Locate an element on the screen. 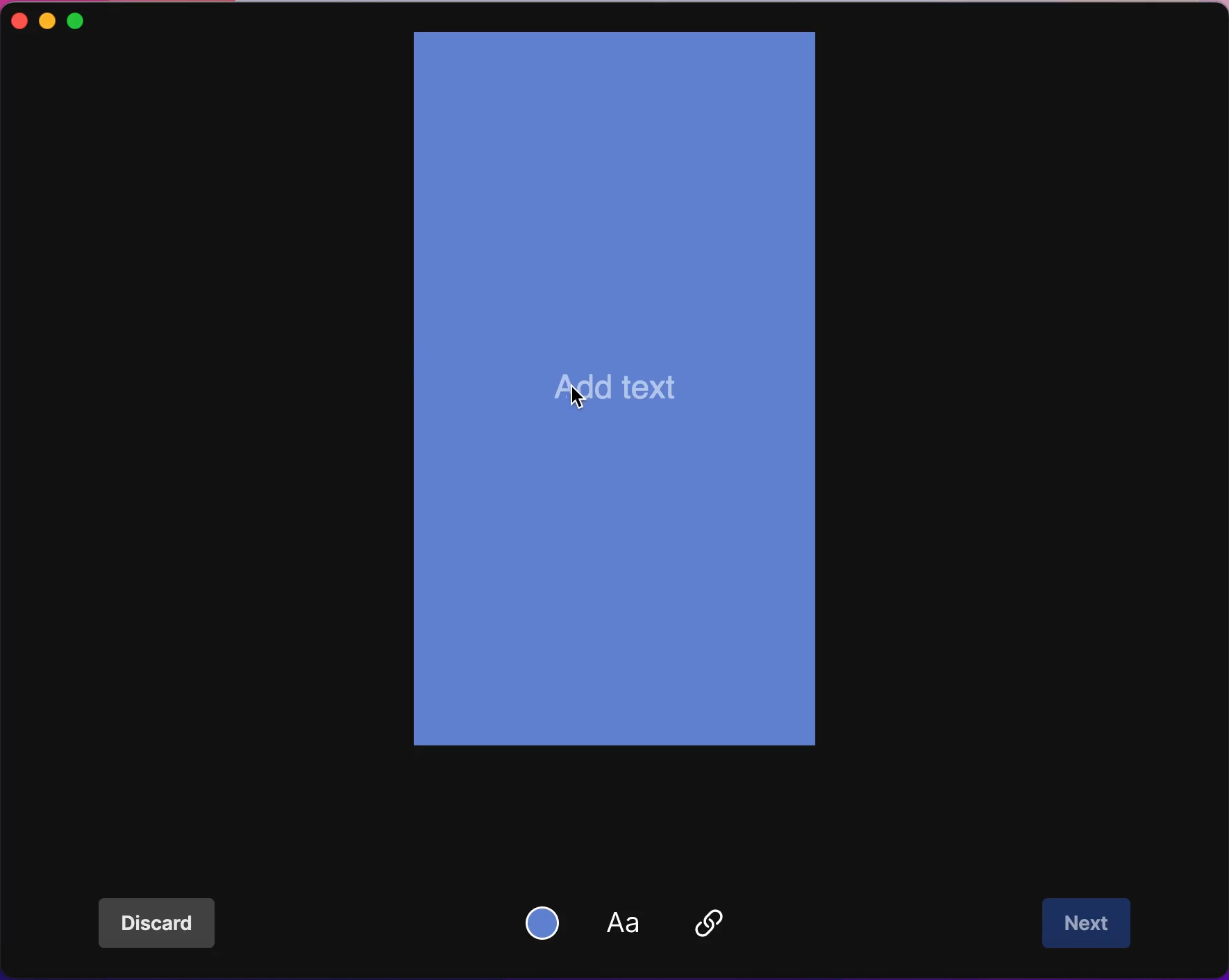 The width and height of the screenshot is (1229, 980). next is located at coordinates (1089, 924).